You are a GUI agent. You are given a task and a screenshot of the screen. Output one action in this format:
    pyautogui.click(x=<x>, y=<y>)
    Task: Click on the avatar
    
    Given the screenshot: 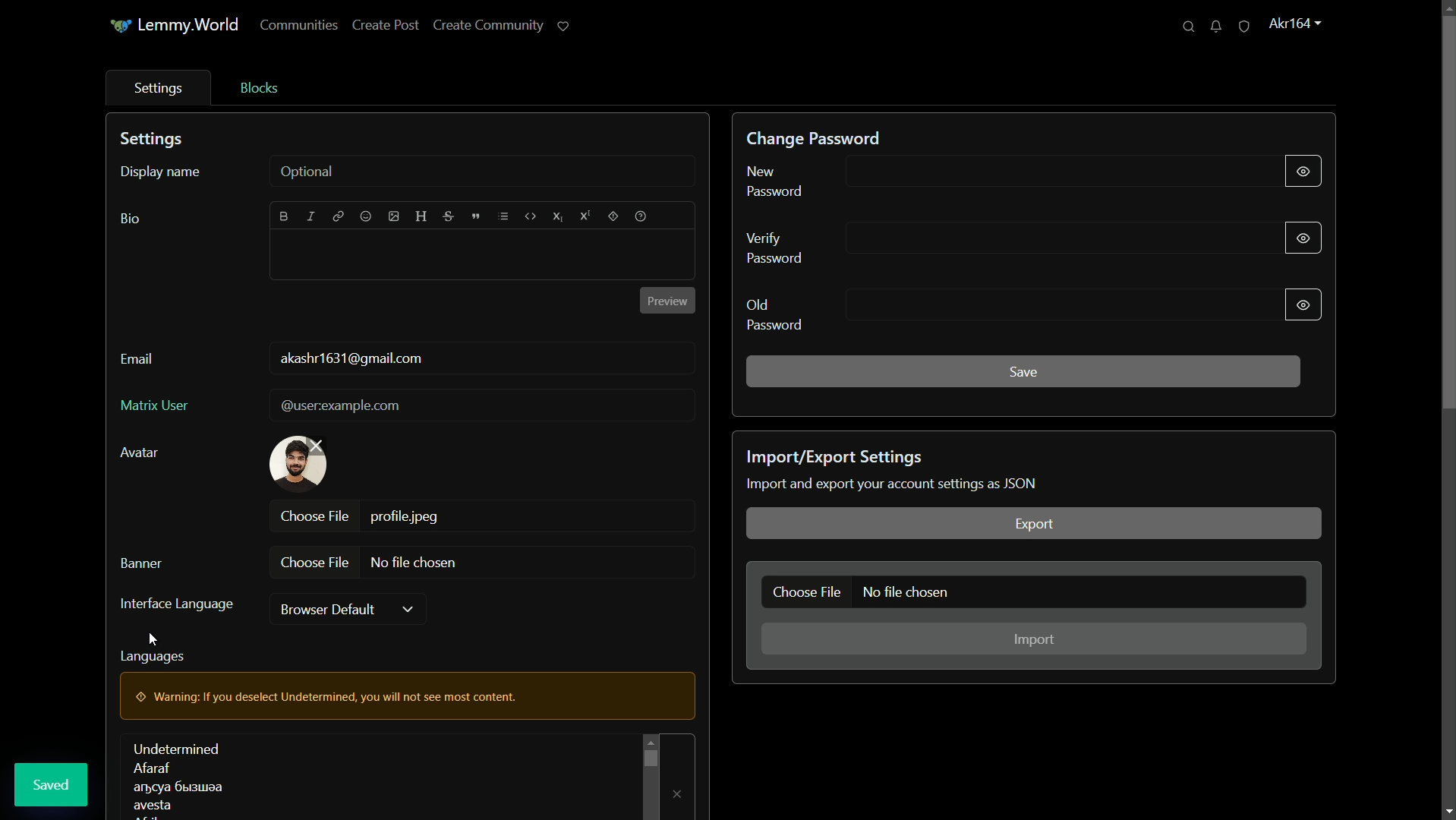 What is the action you would take?
    pyautogui.click(x=140, y=453)
    